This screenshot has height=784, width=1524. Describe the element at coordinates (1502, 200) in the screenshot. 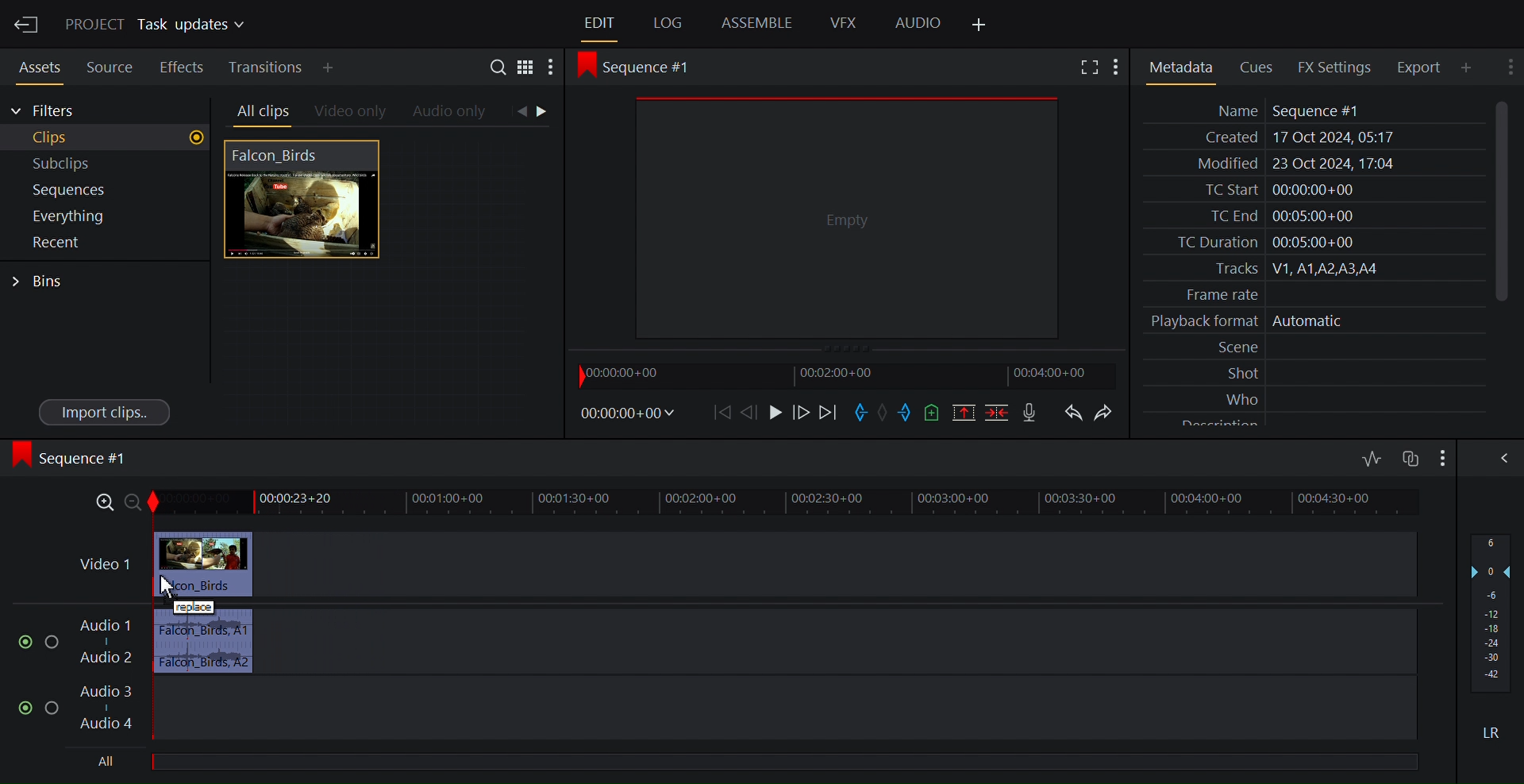

I see `Vertical Scroll bar` at that location.